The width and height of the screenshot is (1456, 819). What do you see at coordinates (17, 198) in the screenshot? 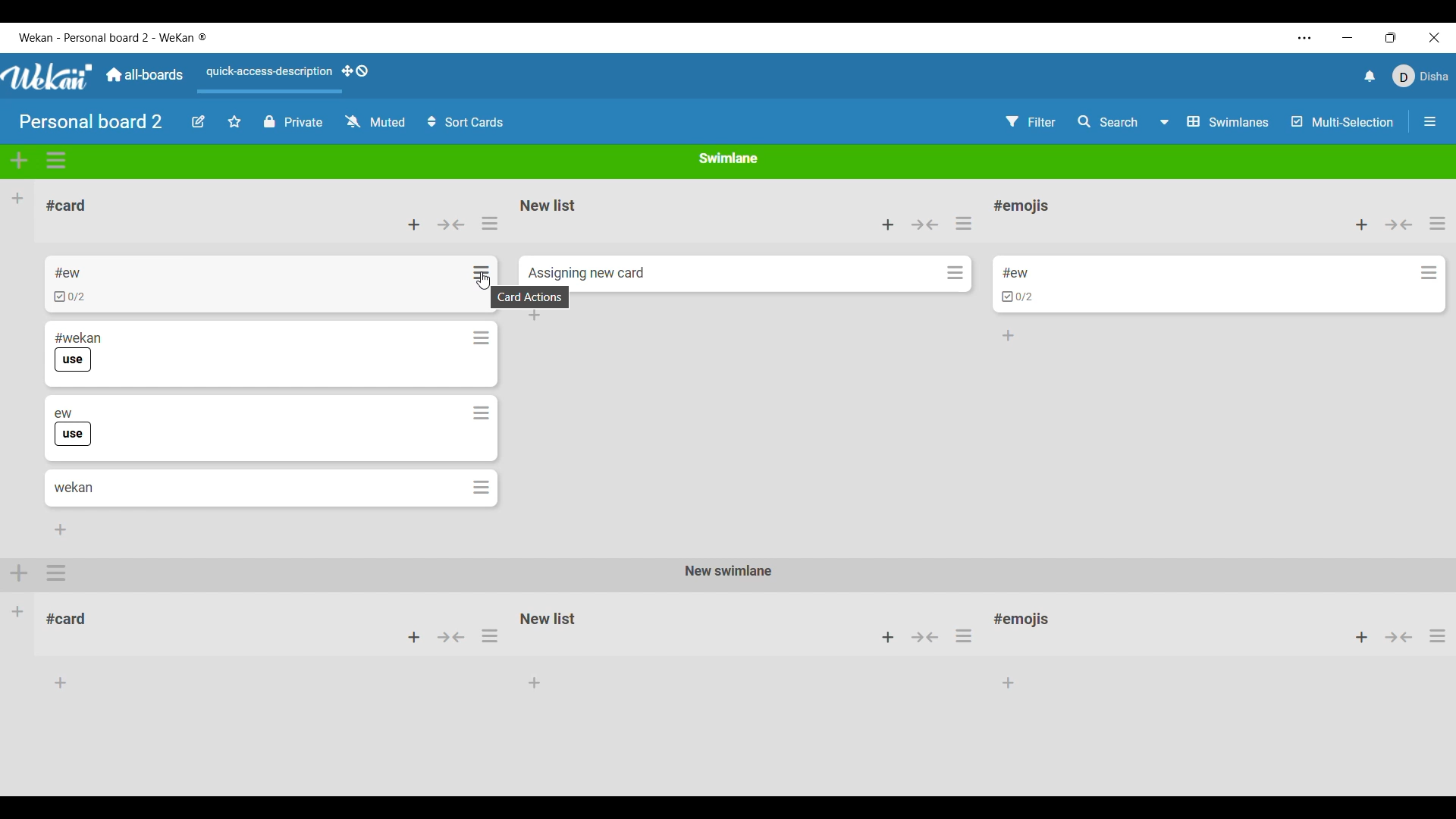
I see `Add list` at bounding box center [17, 198].